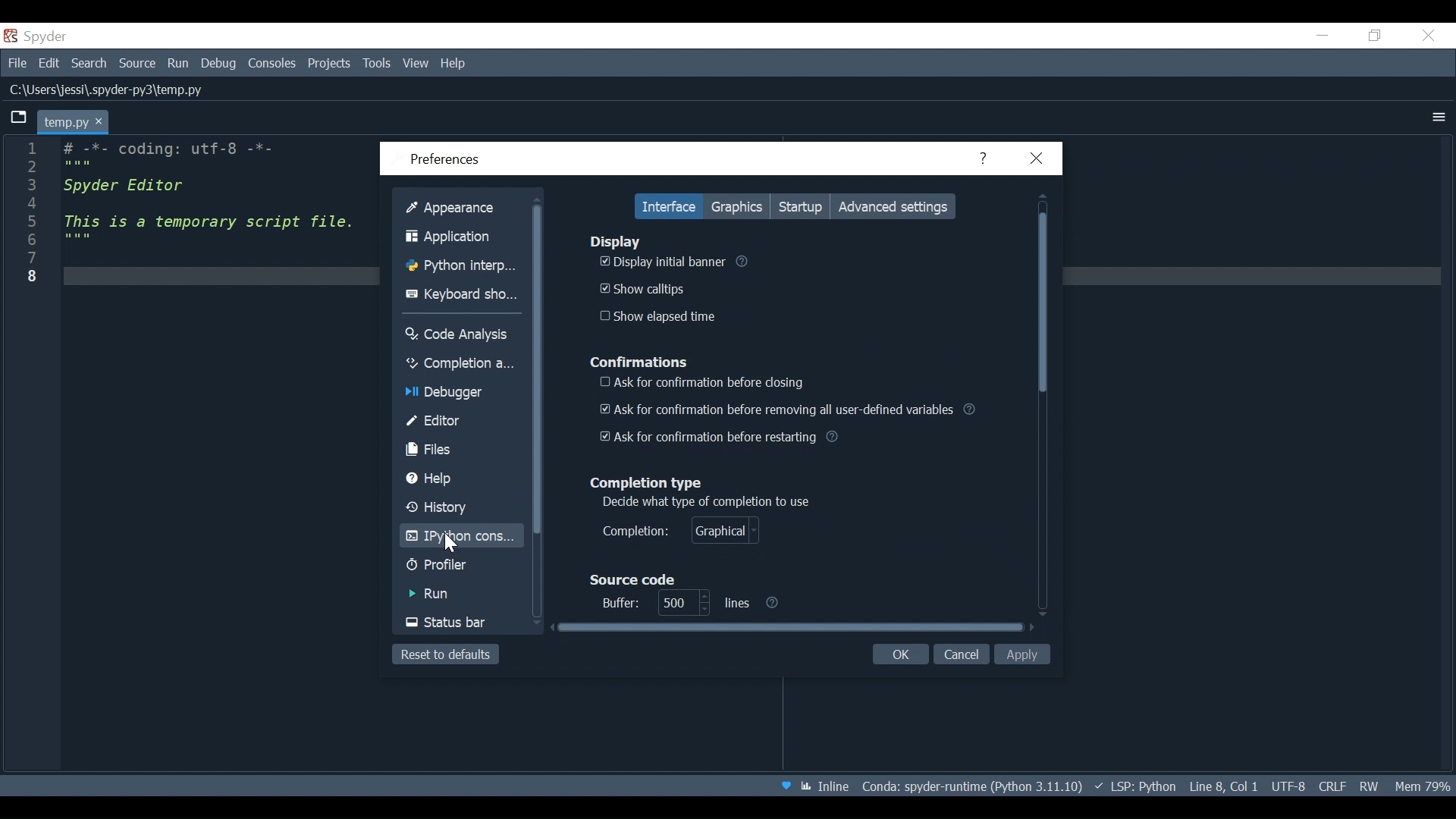 This screenshot has width=1456, height=819. What do you see at coordinates (45, 63) in the screenshot?
I see `Edit` at bounding box center [45, 63].